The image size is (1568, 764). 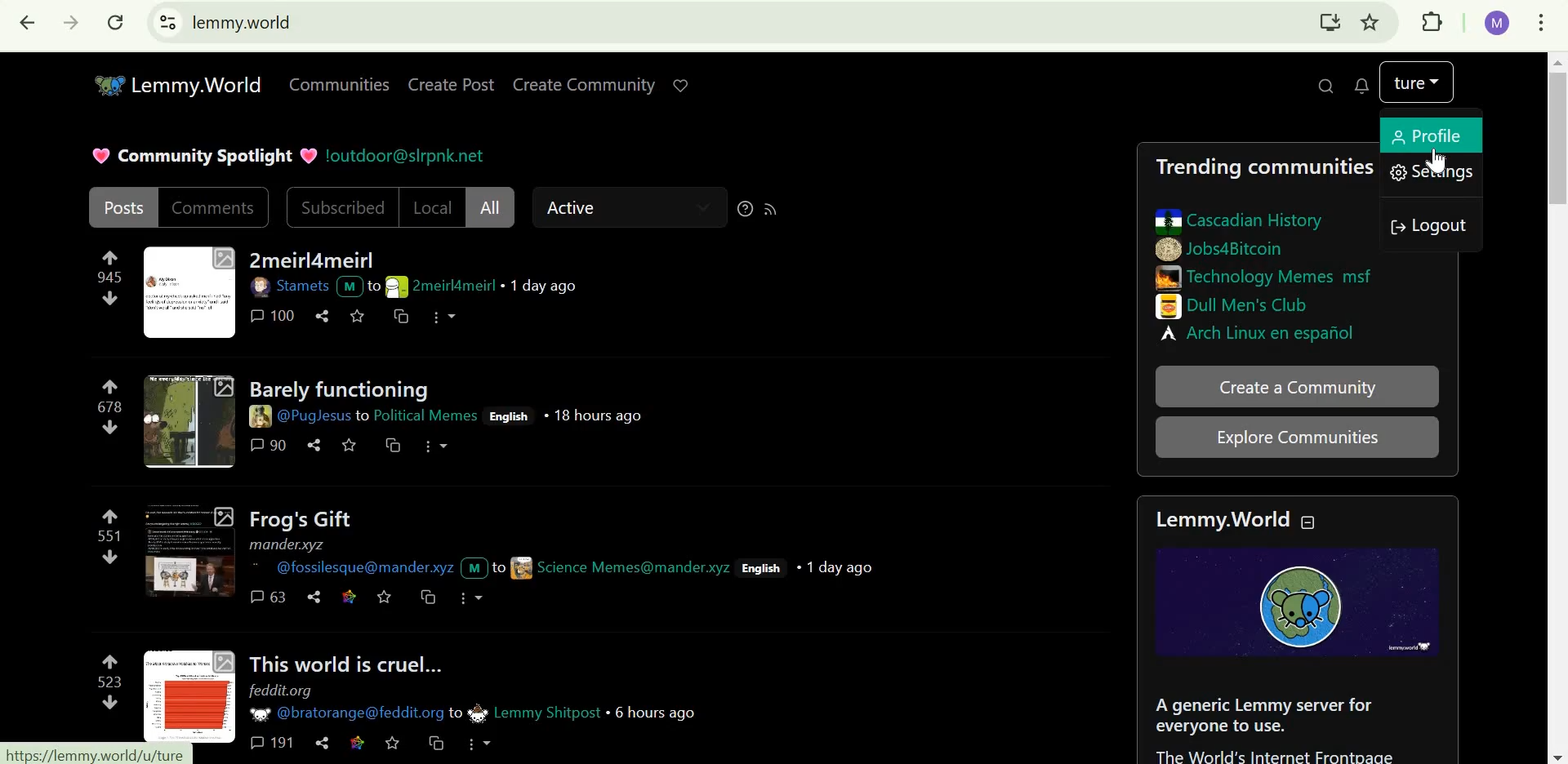 I want to click on more, so click(x=470, y=596).